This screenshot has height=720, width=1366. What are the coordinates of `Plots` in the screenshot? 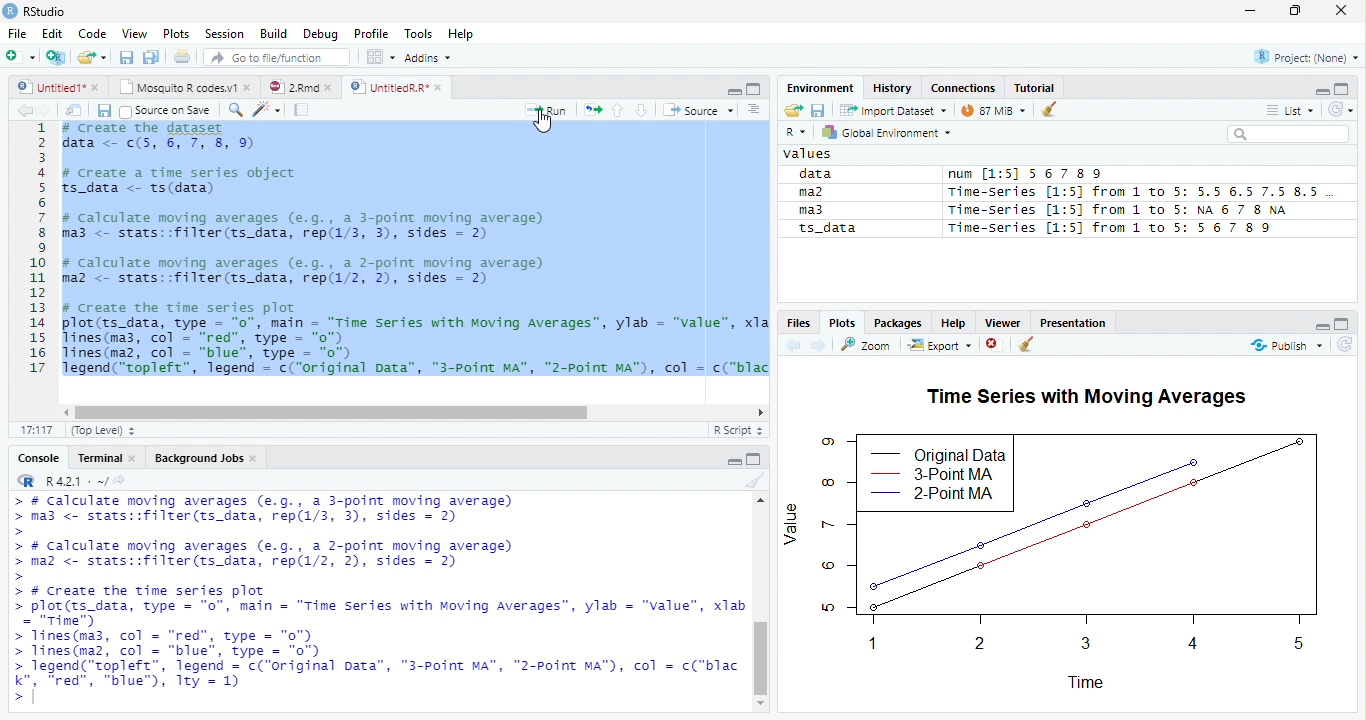 It's located at (840, 325).